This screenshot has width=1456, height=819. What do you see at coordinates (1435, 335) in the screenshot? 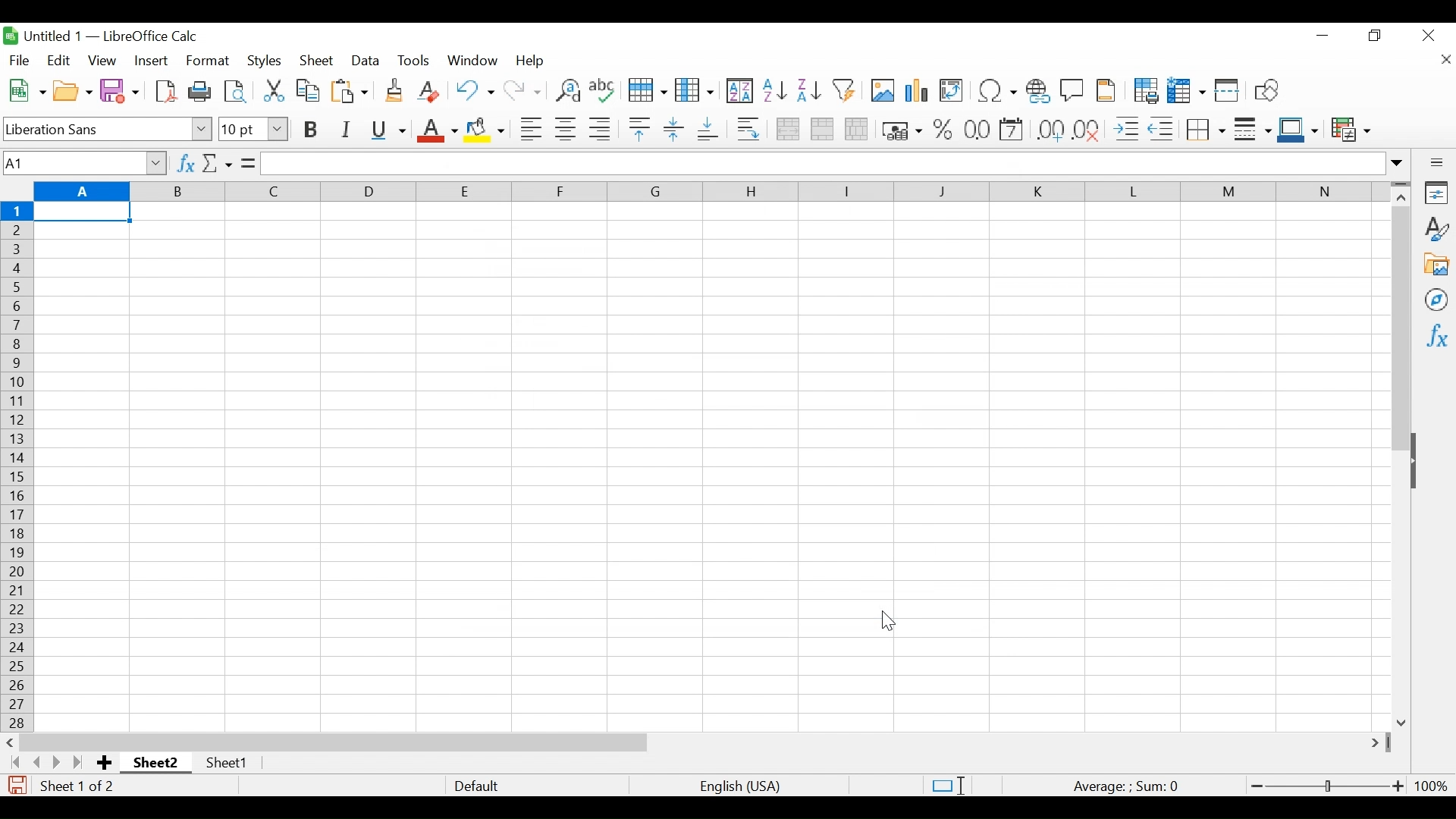
I see `Functions` at bounding box center [1435, 335].